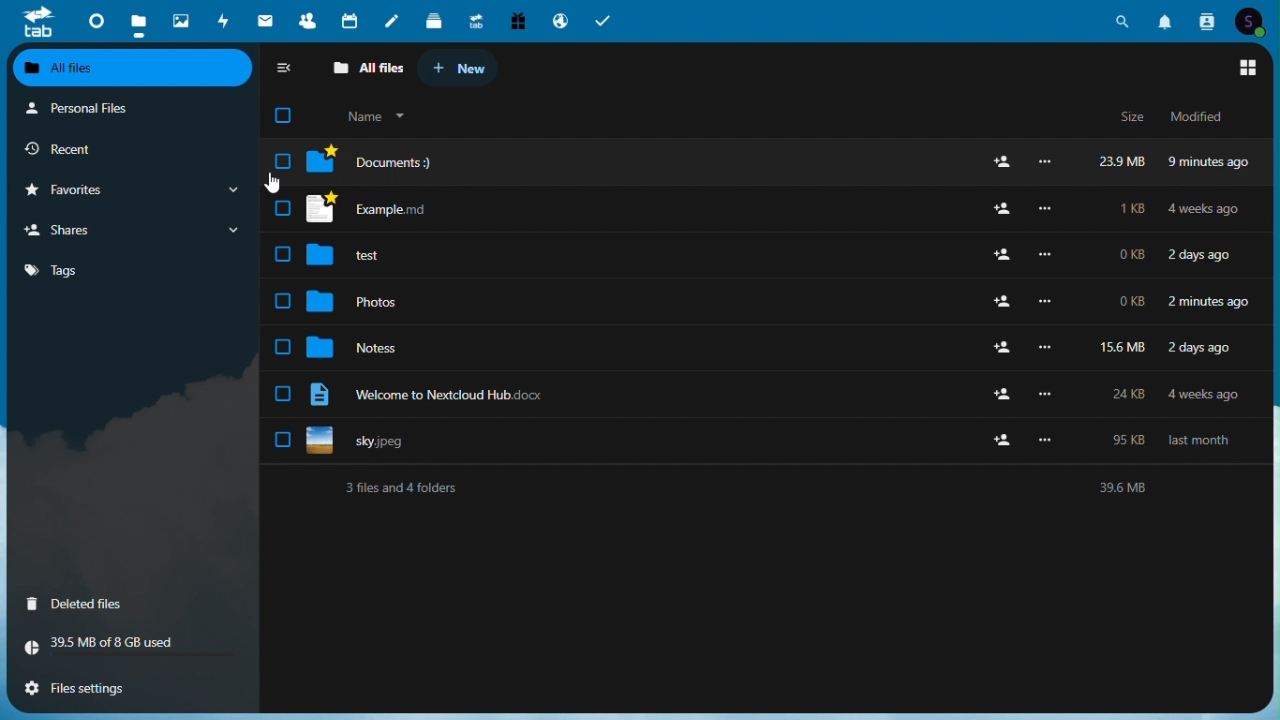  Describe the element at coordinates (95, 19) in the screenshot. I see `dashboard` at that location.